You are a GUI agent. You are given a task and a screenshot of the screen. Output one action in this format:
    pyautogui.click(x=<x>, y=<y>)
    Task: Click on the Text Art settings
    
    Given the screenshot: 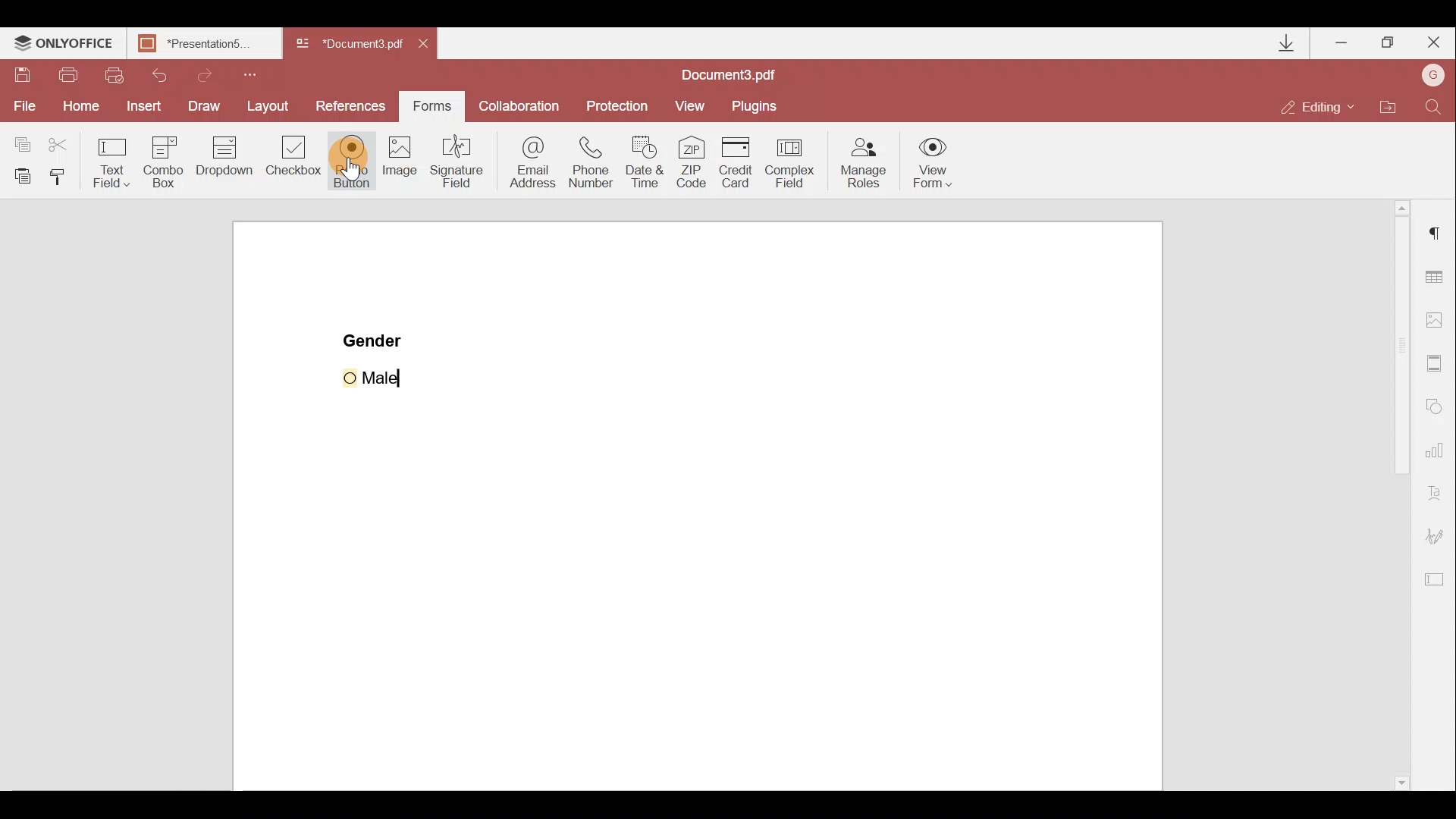 What is the action you would take?
    pyautogui.click(x=1439, y=495)
    